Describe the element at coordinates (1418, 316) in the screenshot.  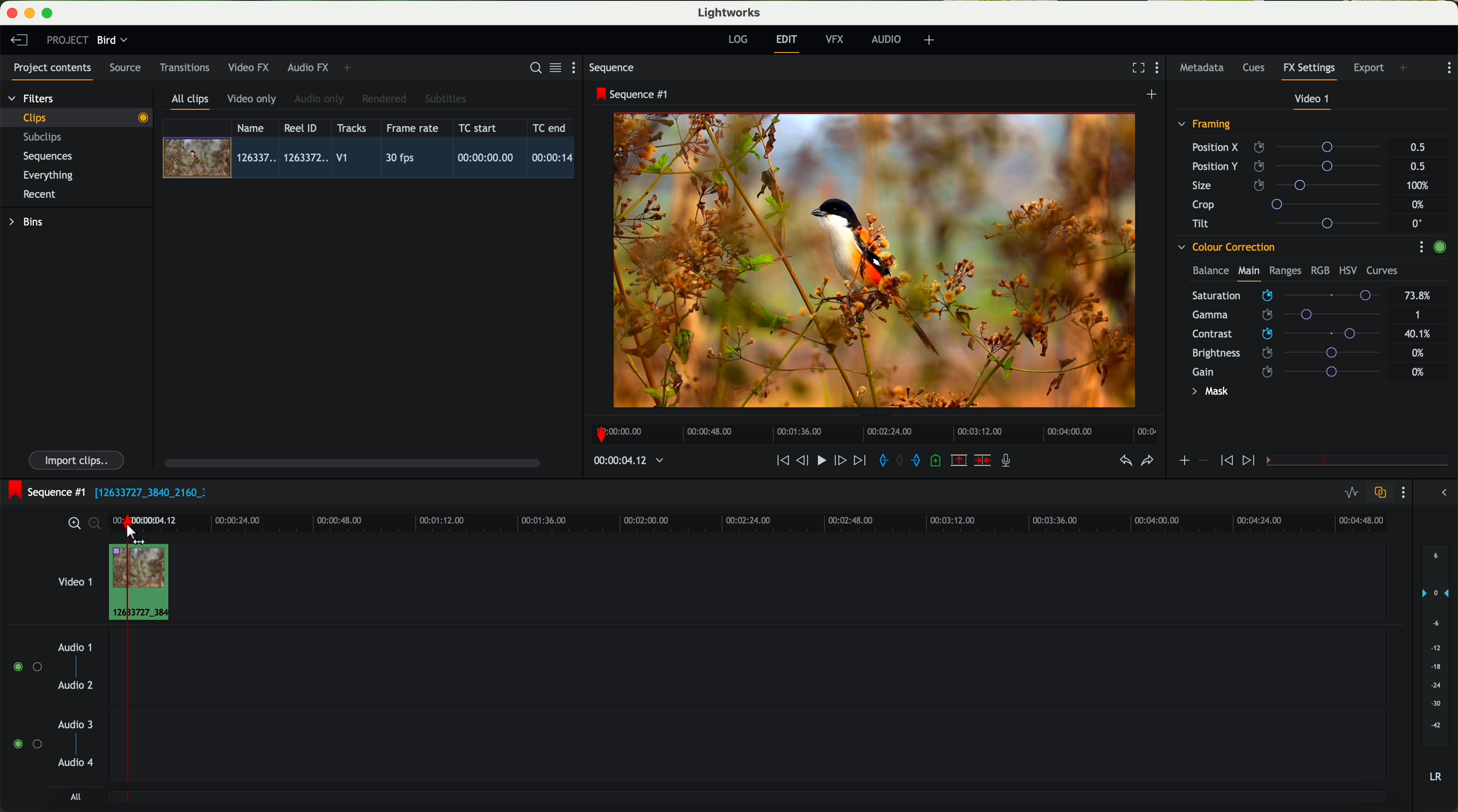
I see `1` at that location.